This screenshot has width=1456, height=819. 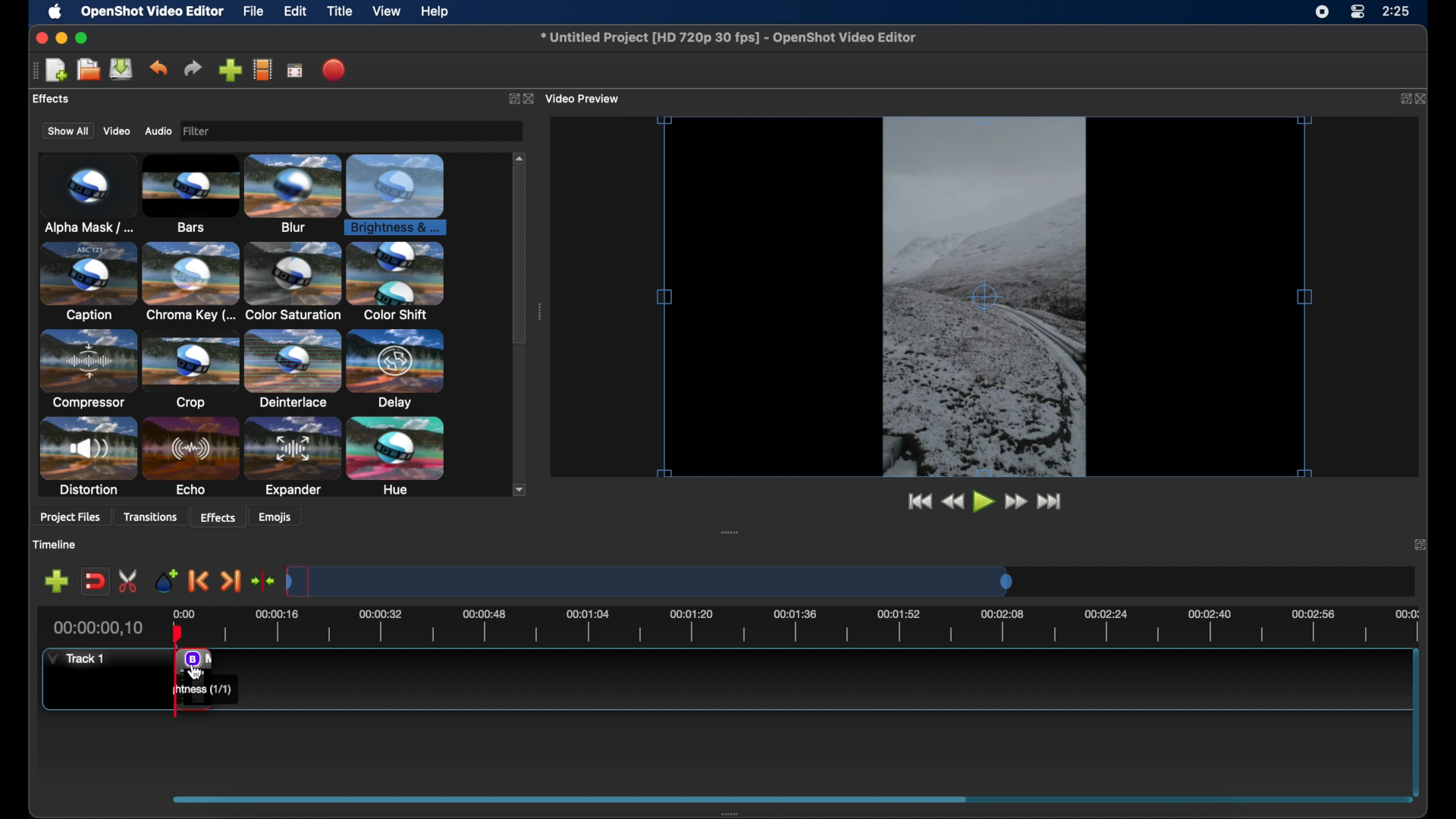 What do you see at coordinates (97, 628) in the screenshot?
I see `current time indicator` at bounding box center [97, 628].